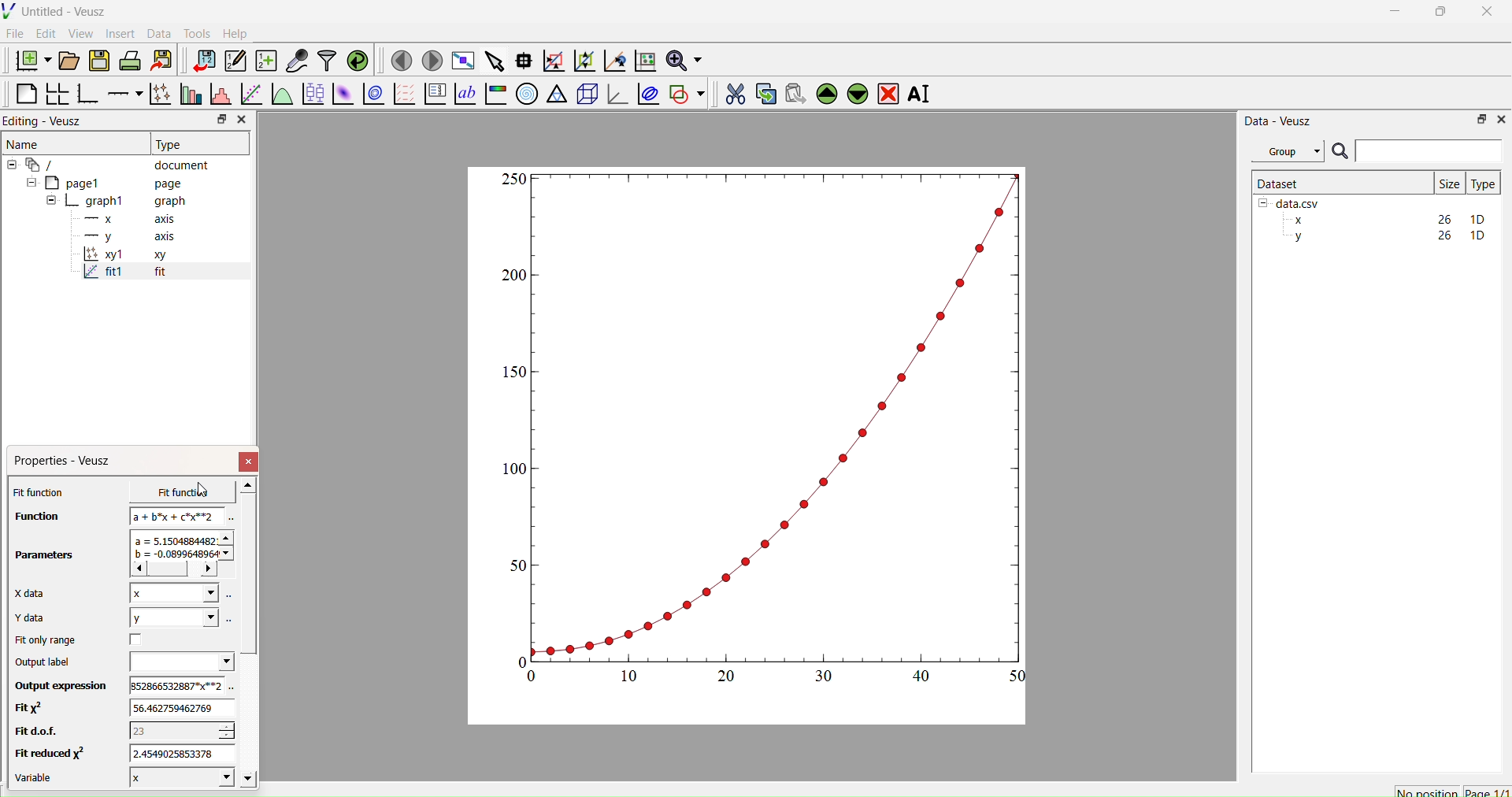  I want to click on Remove, so click(888, 92).